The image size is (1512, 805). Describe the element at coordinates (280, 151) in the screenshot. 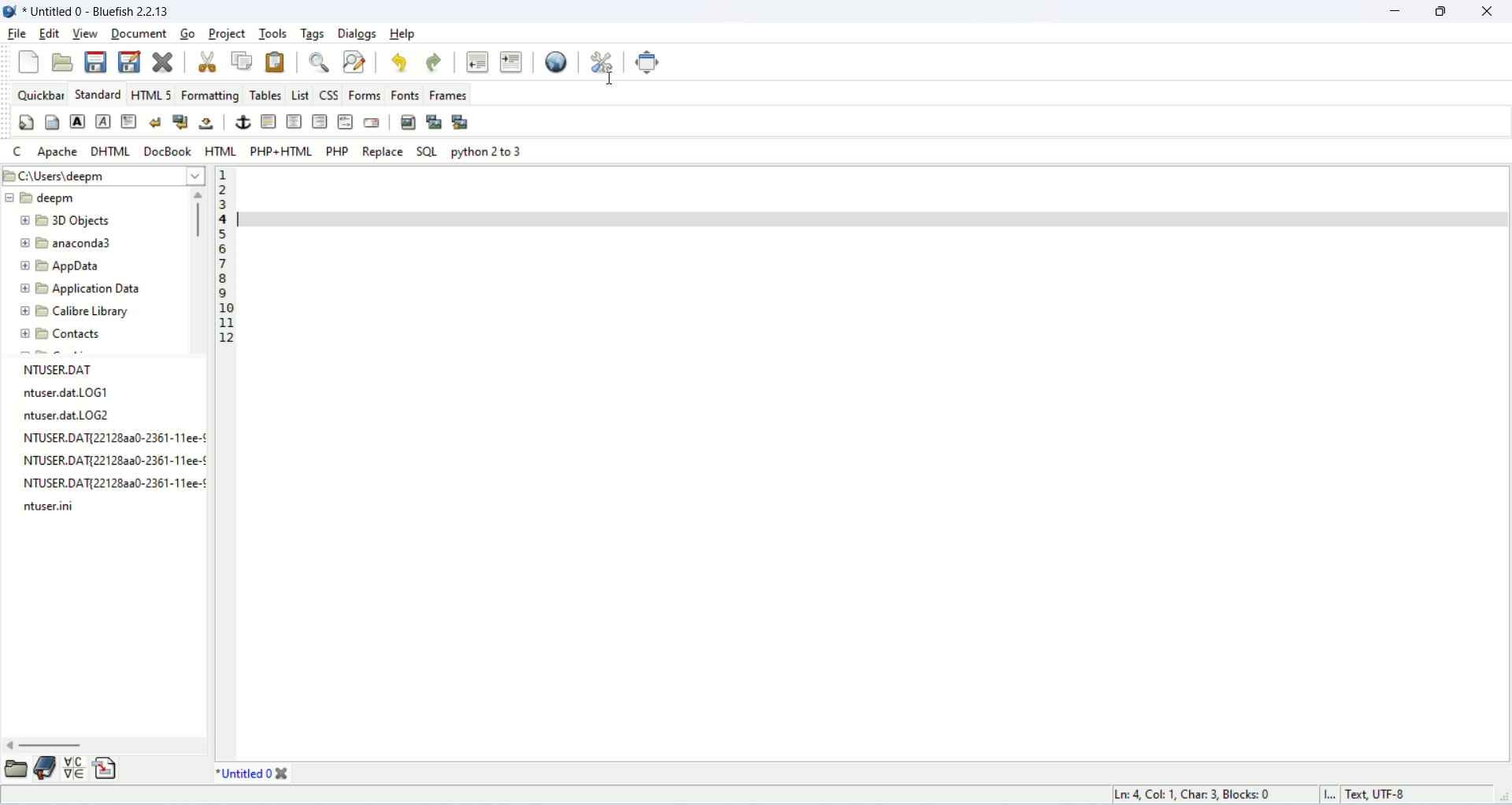

I see `PHP+HTML/////` at that location.